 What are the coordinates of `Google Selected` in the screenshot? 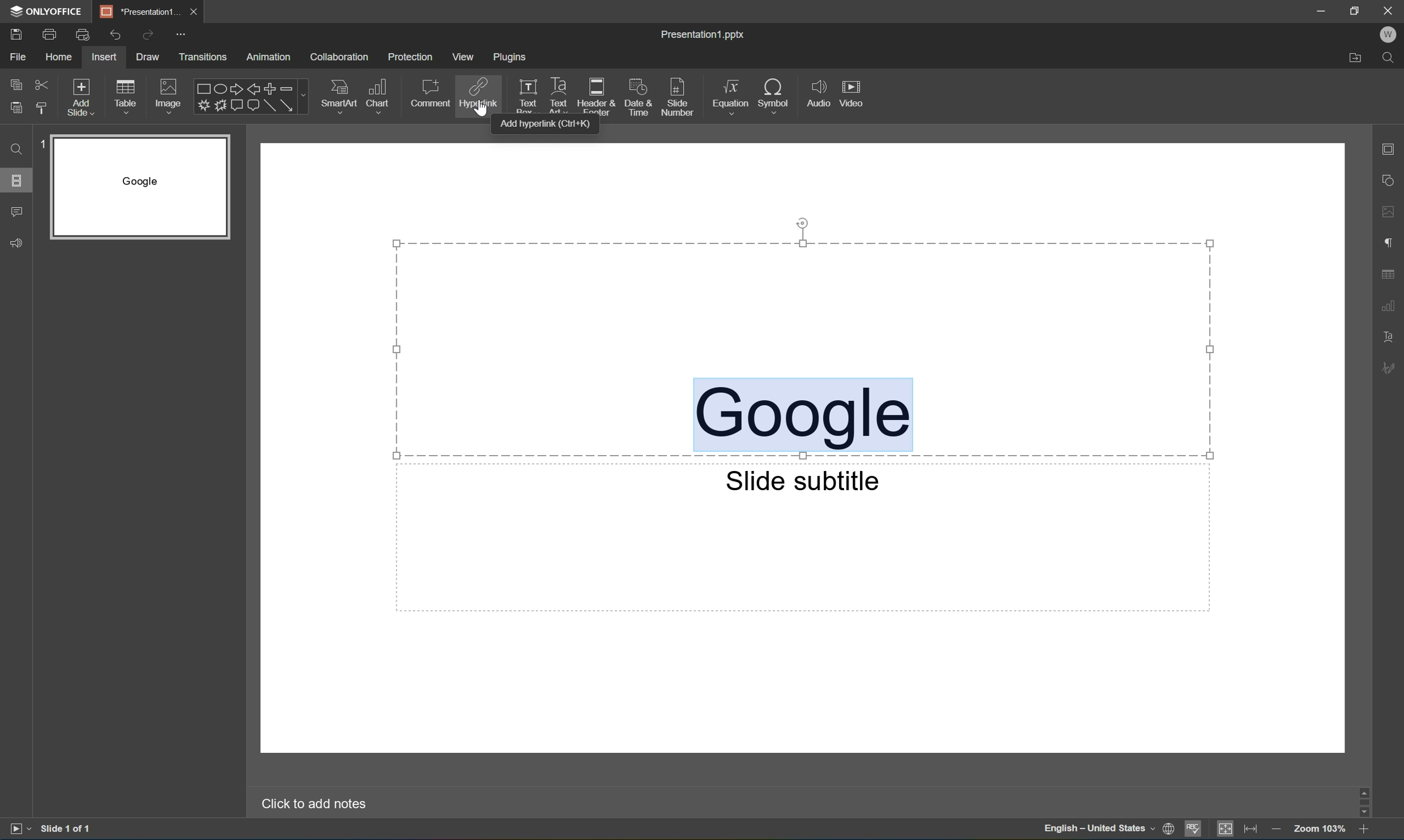 It's located at (800, 415).